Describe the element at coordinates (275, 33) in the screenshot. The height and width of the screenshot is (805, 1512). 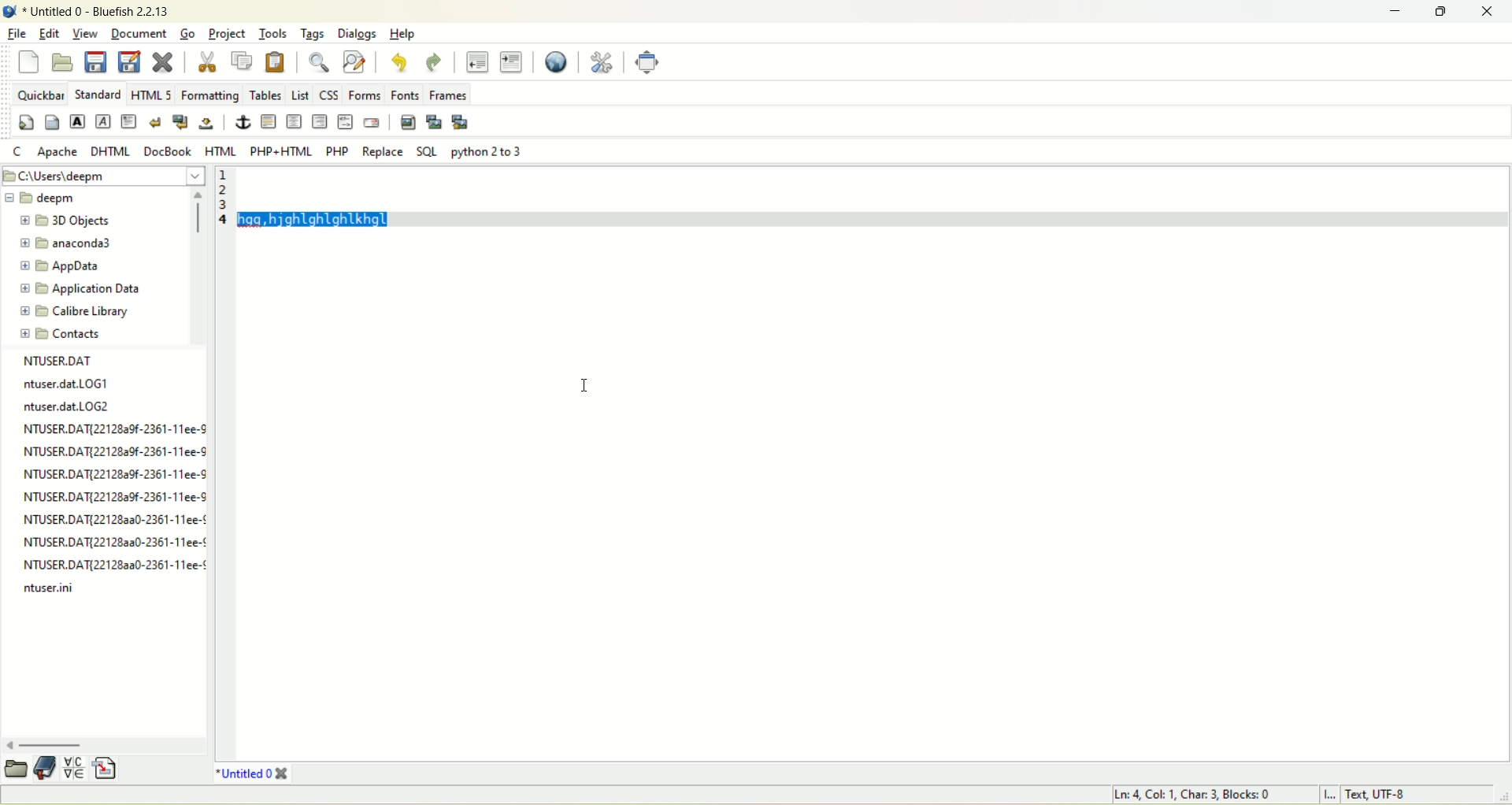
I see `tools` at that location.